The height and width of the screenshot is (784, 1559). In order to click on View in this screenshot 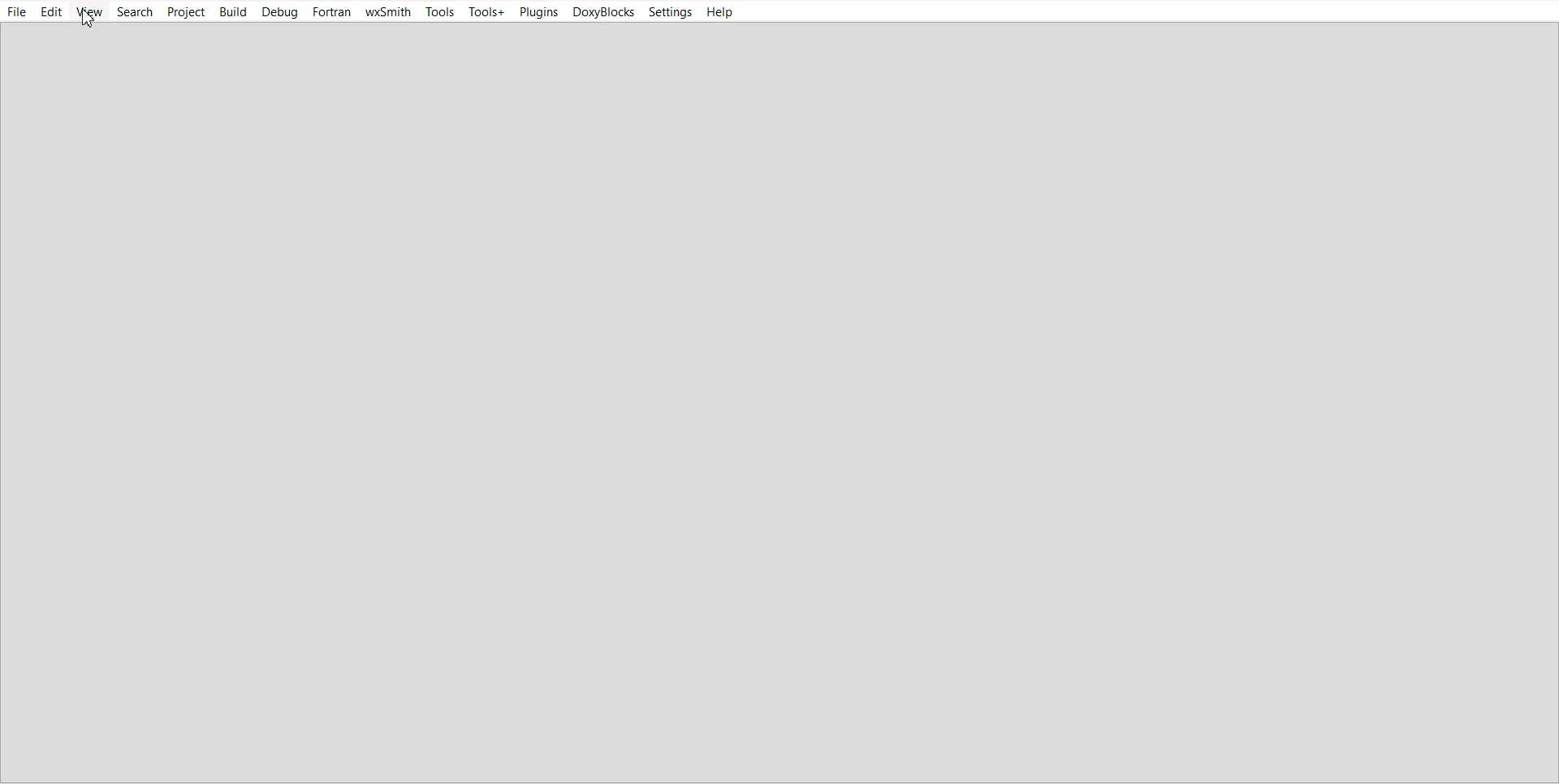, I will do `click(89, 12)`.